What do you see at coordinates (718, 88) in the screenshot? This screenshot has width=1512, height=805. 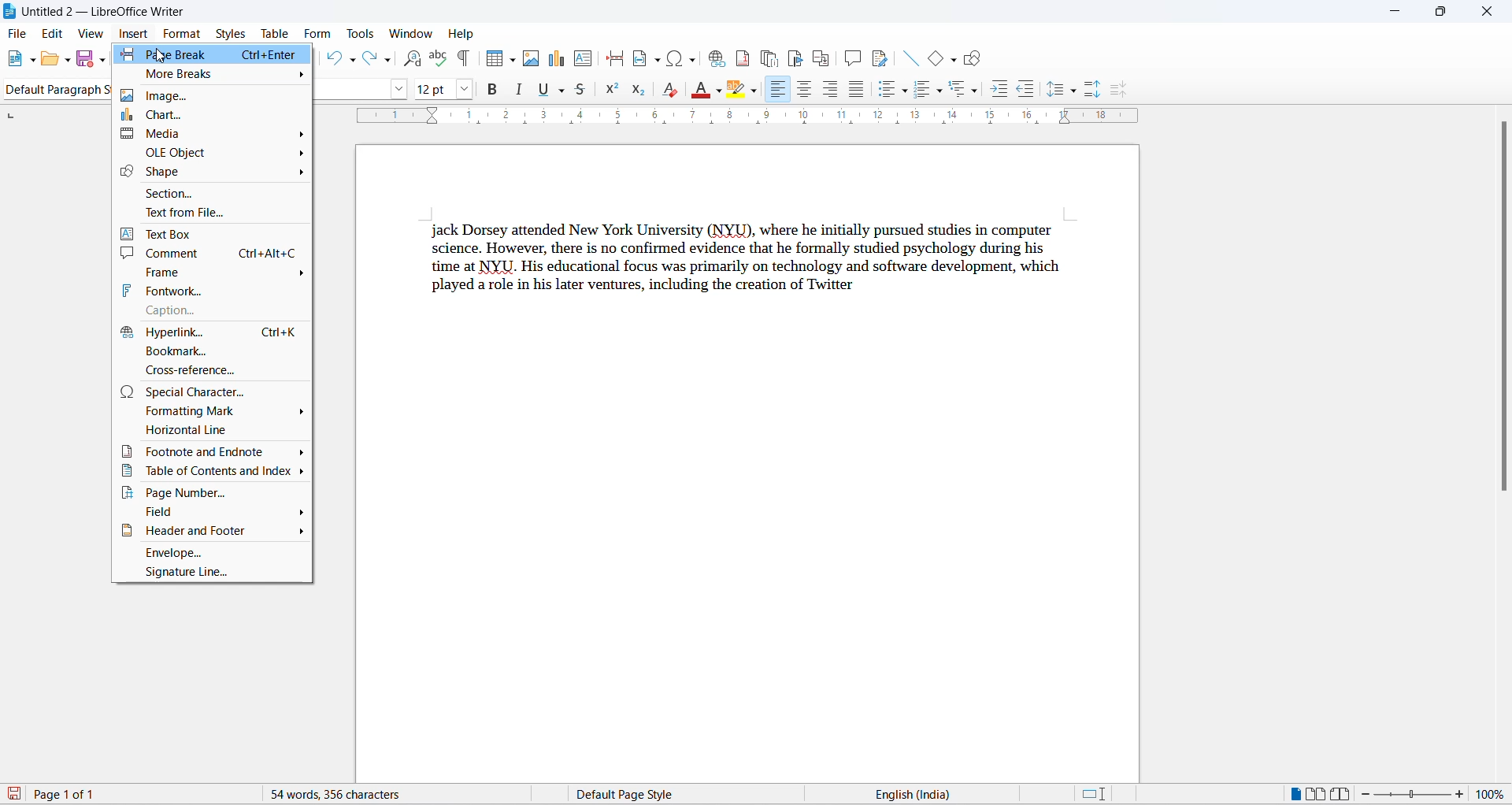 I see `font color options` at bounding box center [718, 88].